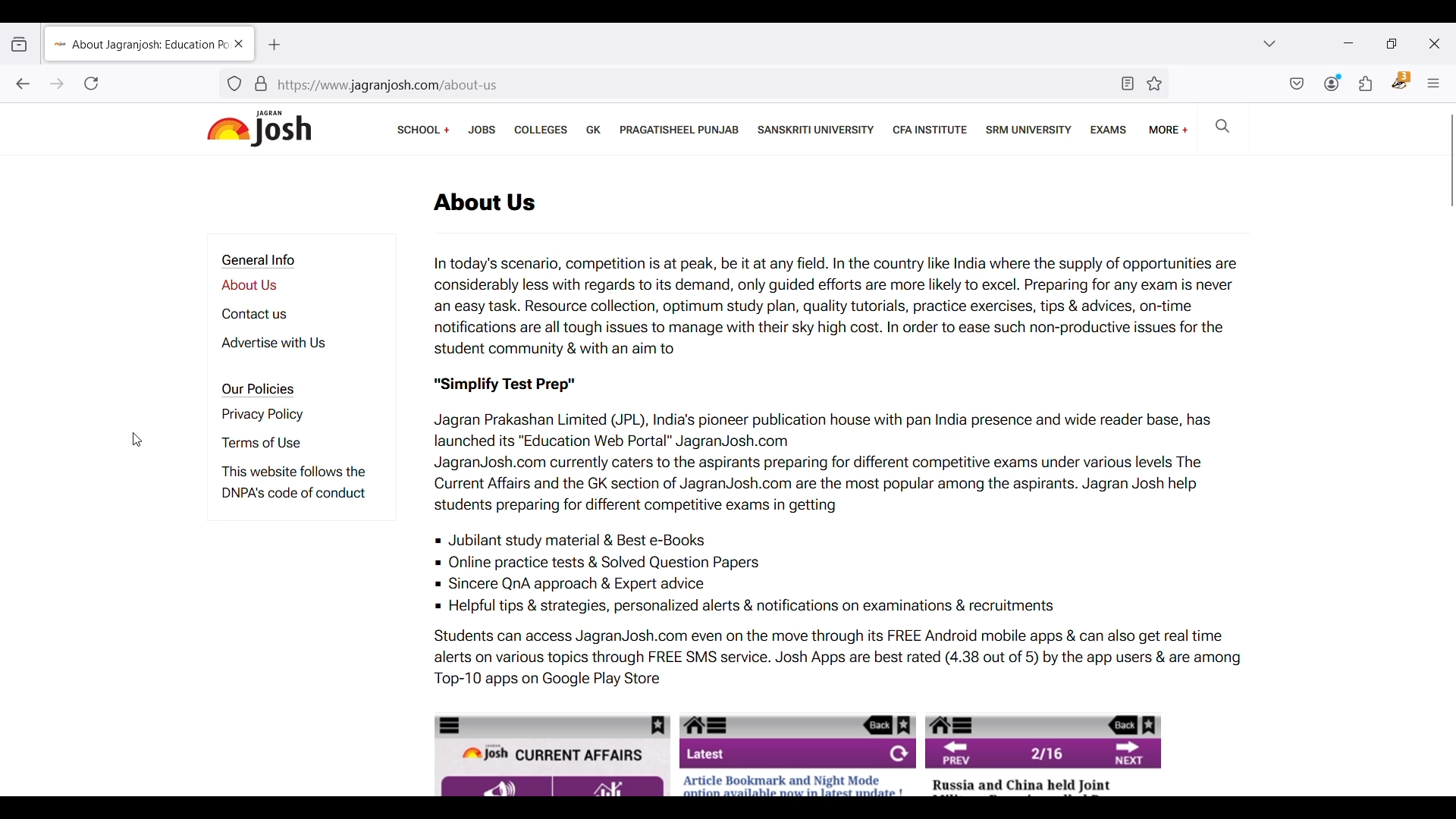  Describe the element at coordinates (57, 84) in the screenshot. I see `Go forward one page` at that location.